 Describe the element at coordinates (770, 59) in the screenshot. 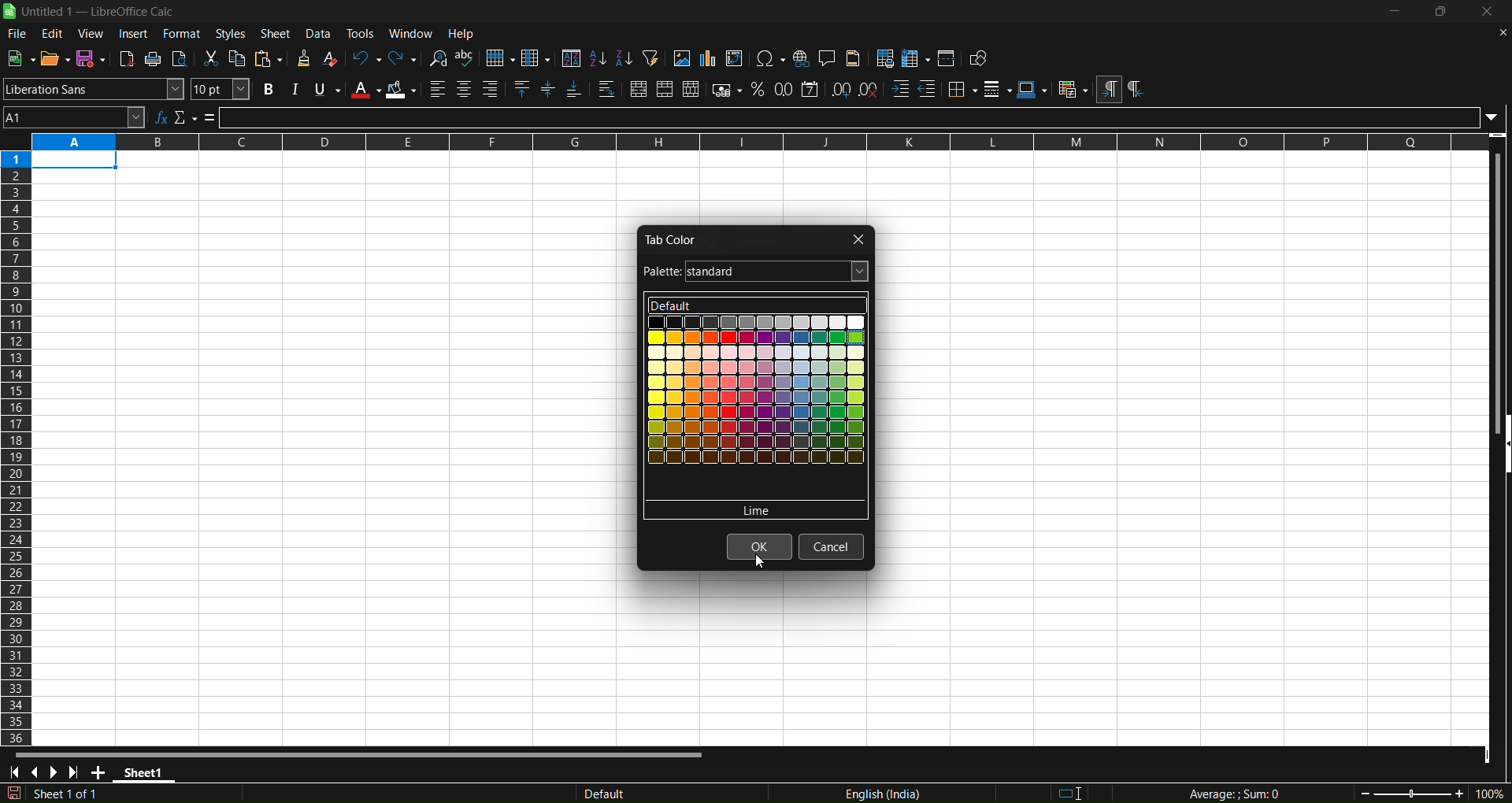

I see `insert special characters` at that location.